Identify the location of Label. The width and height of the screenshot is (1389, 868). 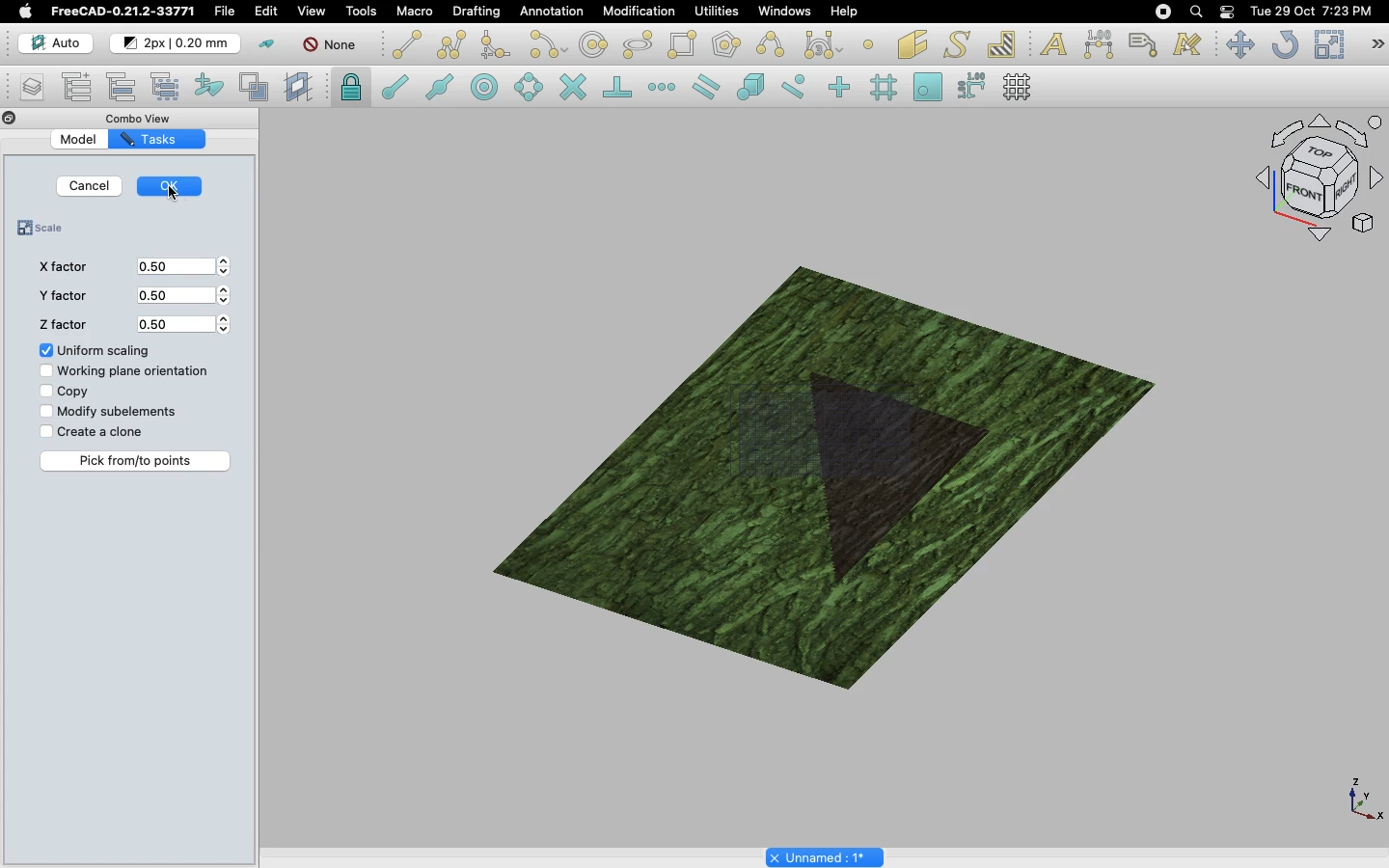
(1144, 42).